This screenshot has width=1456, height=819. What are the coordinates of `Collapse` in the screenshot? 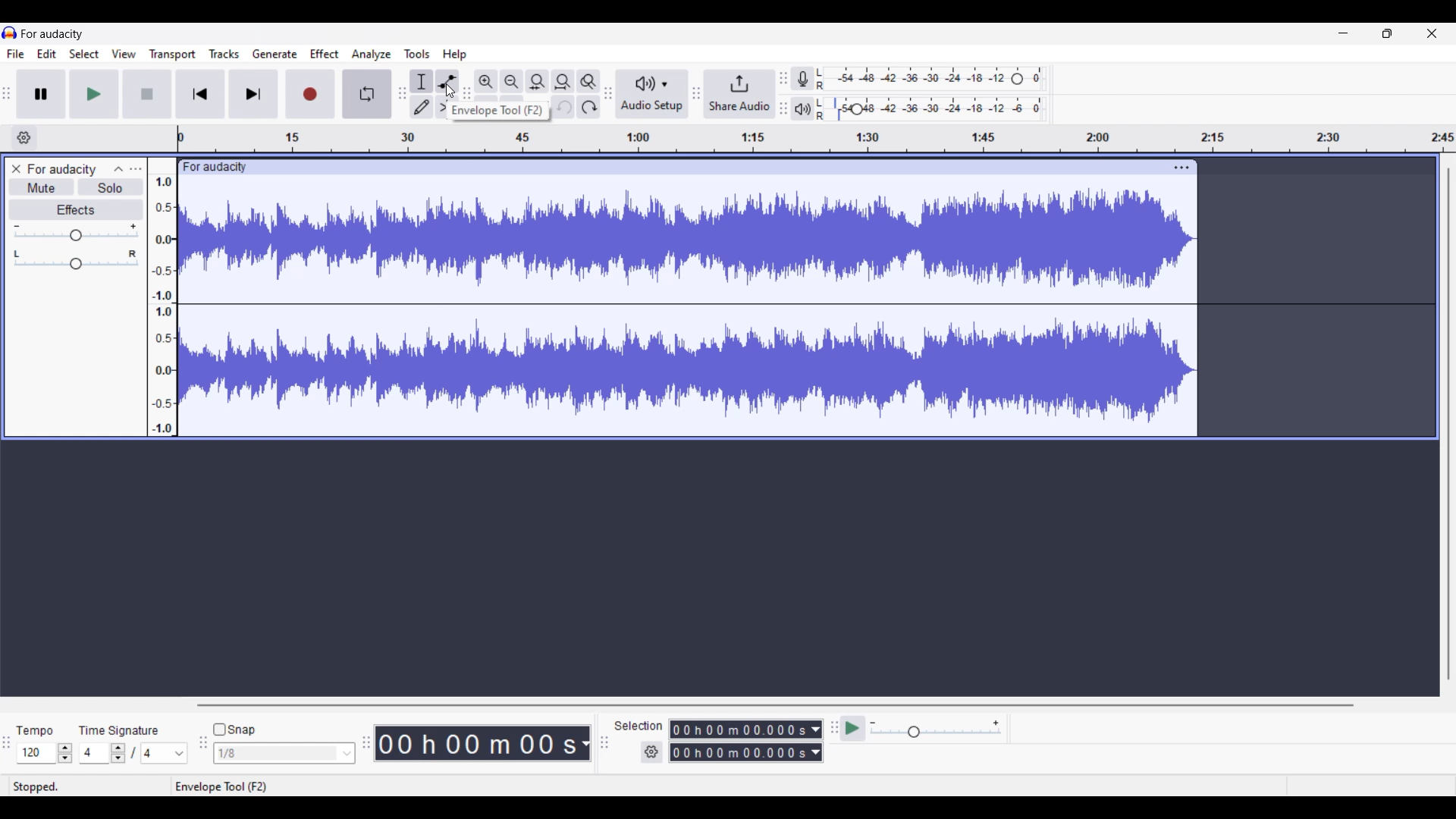 It's located at (119, 169).